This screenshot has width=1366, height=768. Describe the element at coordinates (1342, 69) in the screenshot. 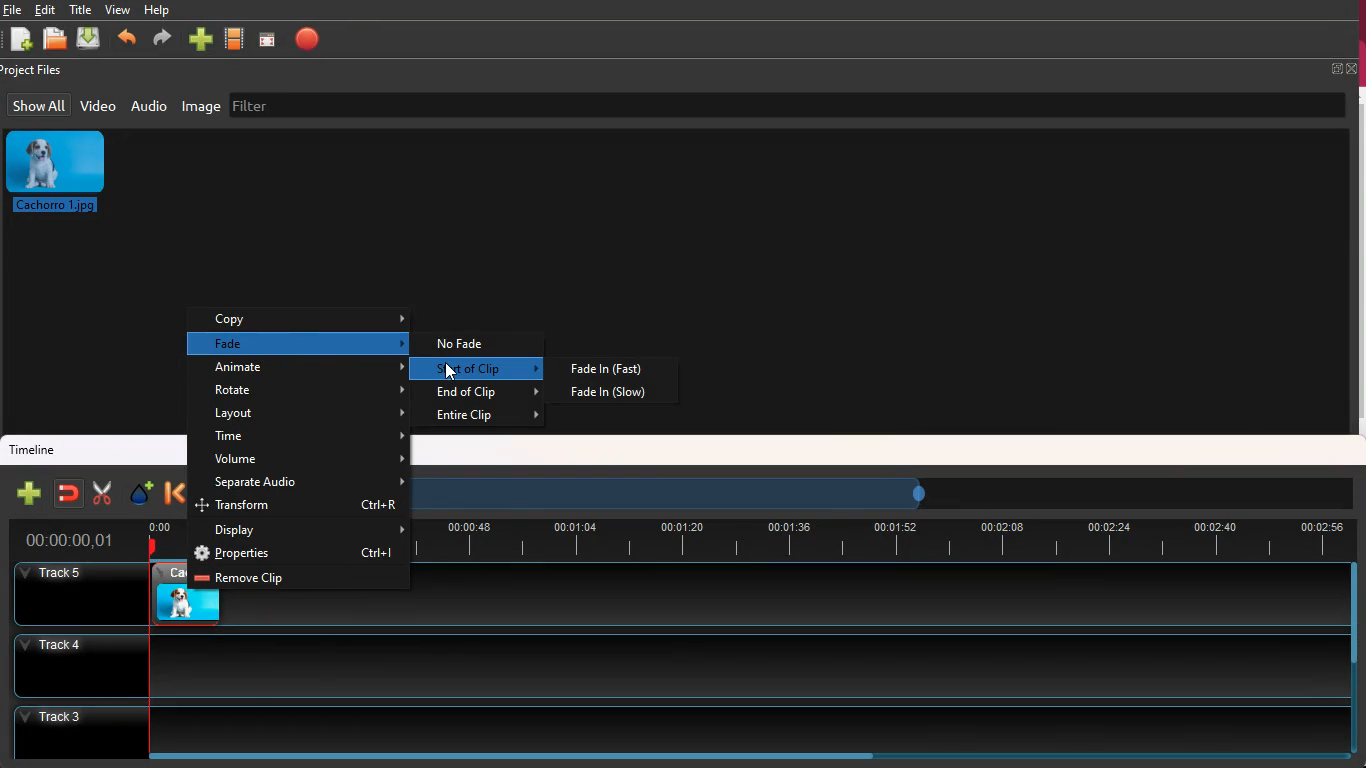

I see `full screen` at that location.